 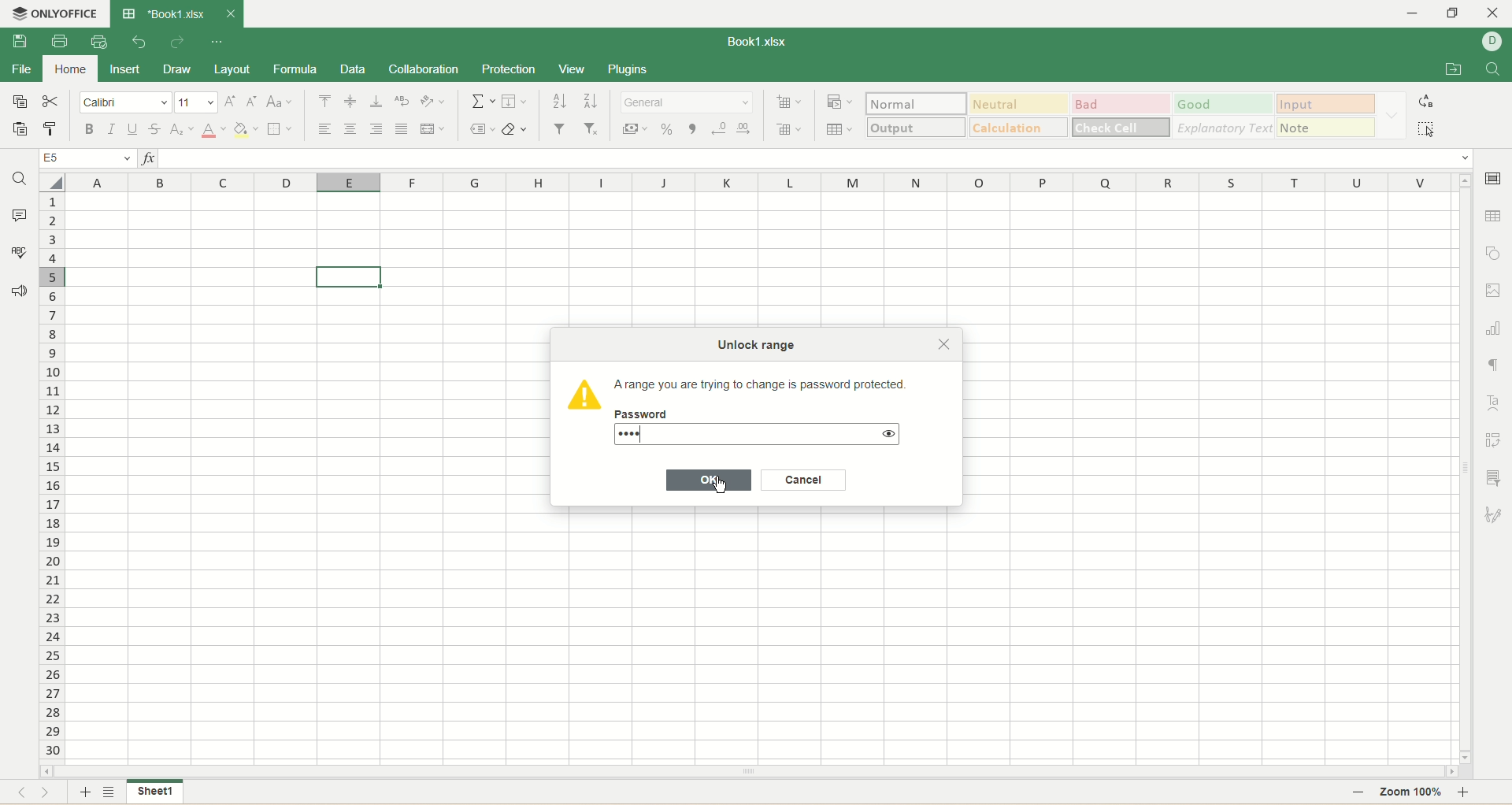 I want to click on slicer settings, so click(x=1495, y=476).